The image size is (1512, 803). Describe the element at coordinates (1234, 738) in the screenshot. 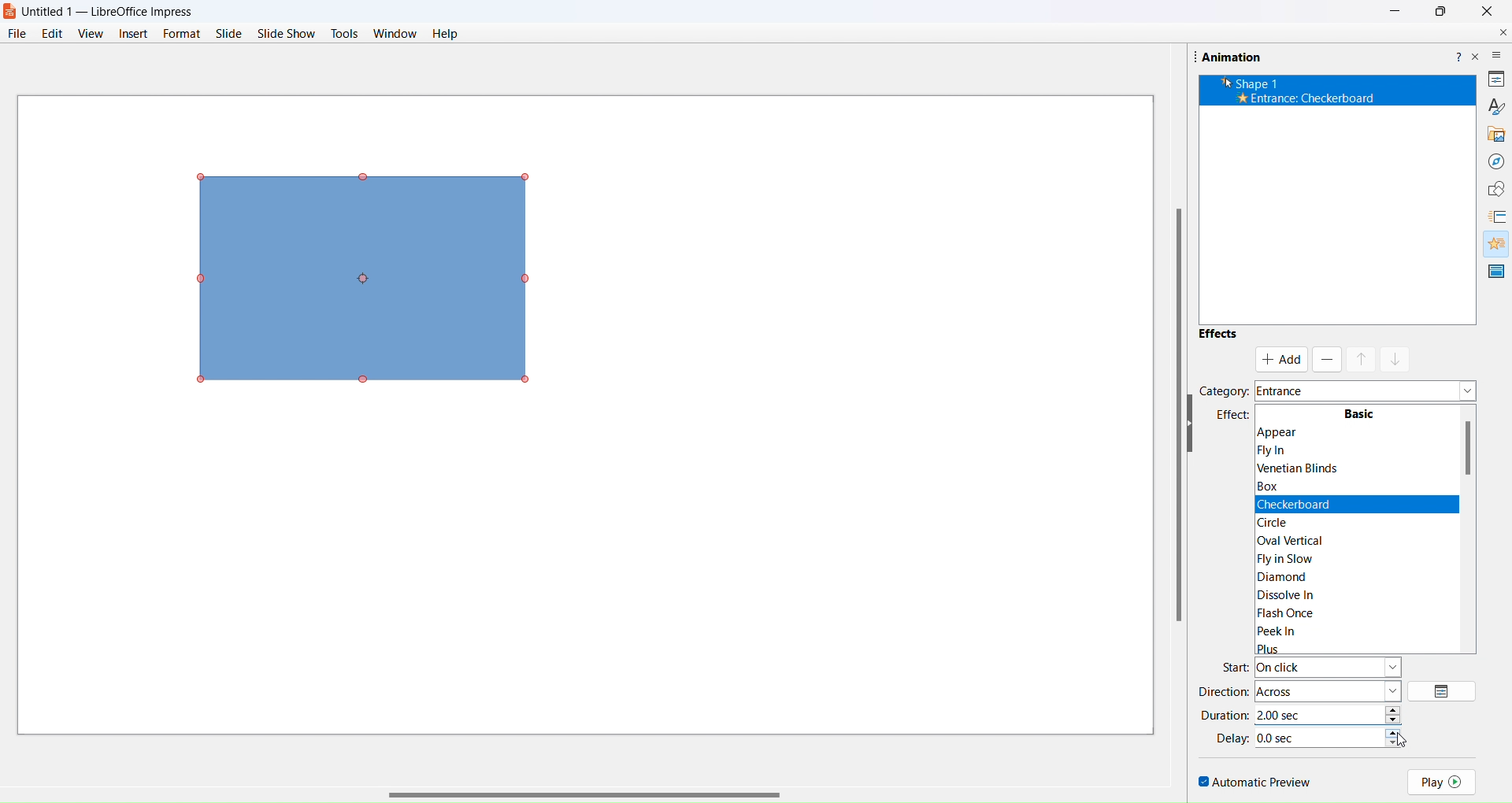

I see `delay` at that location.